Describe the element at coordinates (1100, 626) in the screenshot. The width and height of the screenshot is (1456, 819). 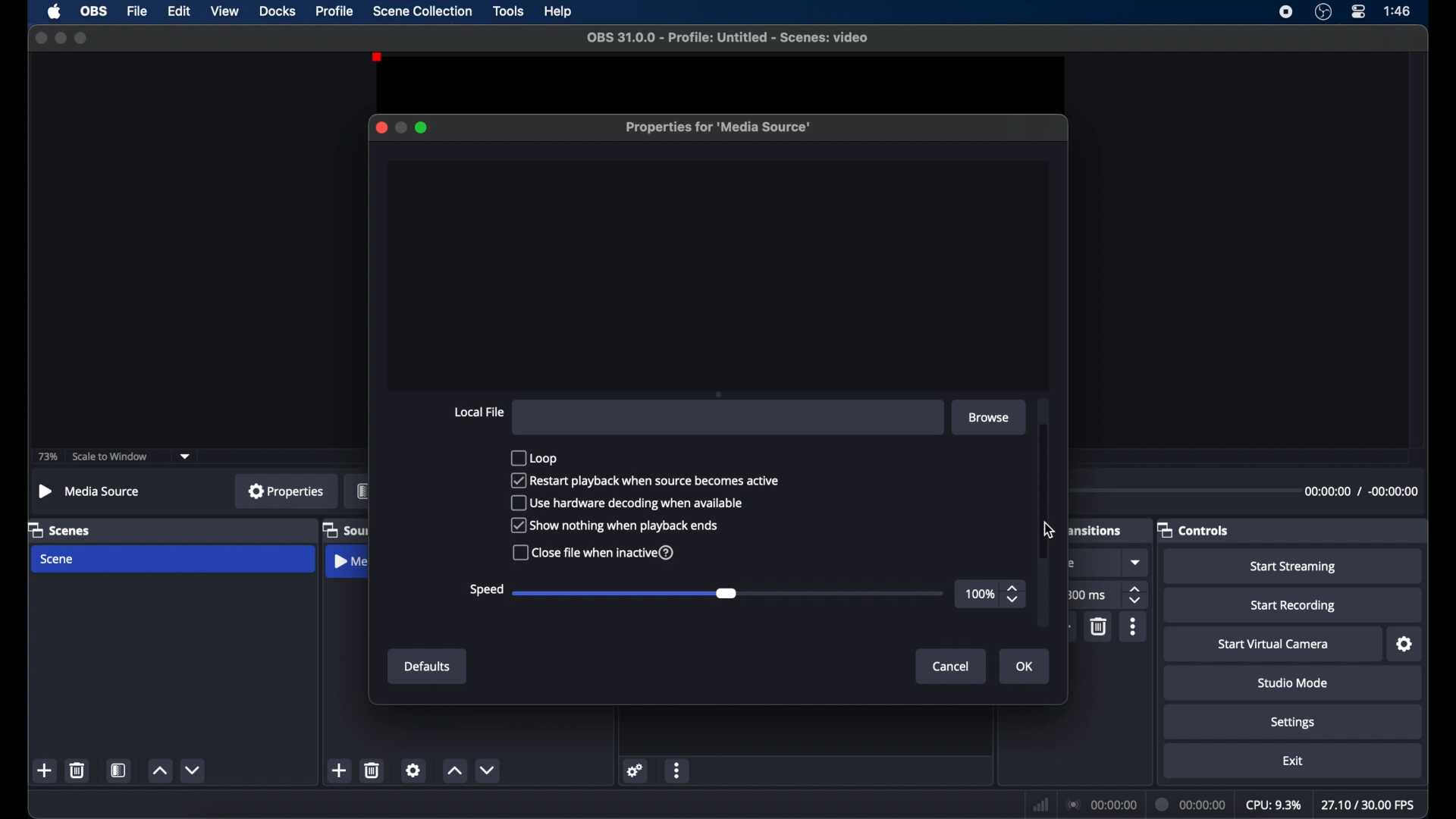
I see `delete` at that location.